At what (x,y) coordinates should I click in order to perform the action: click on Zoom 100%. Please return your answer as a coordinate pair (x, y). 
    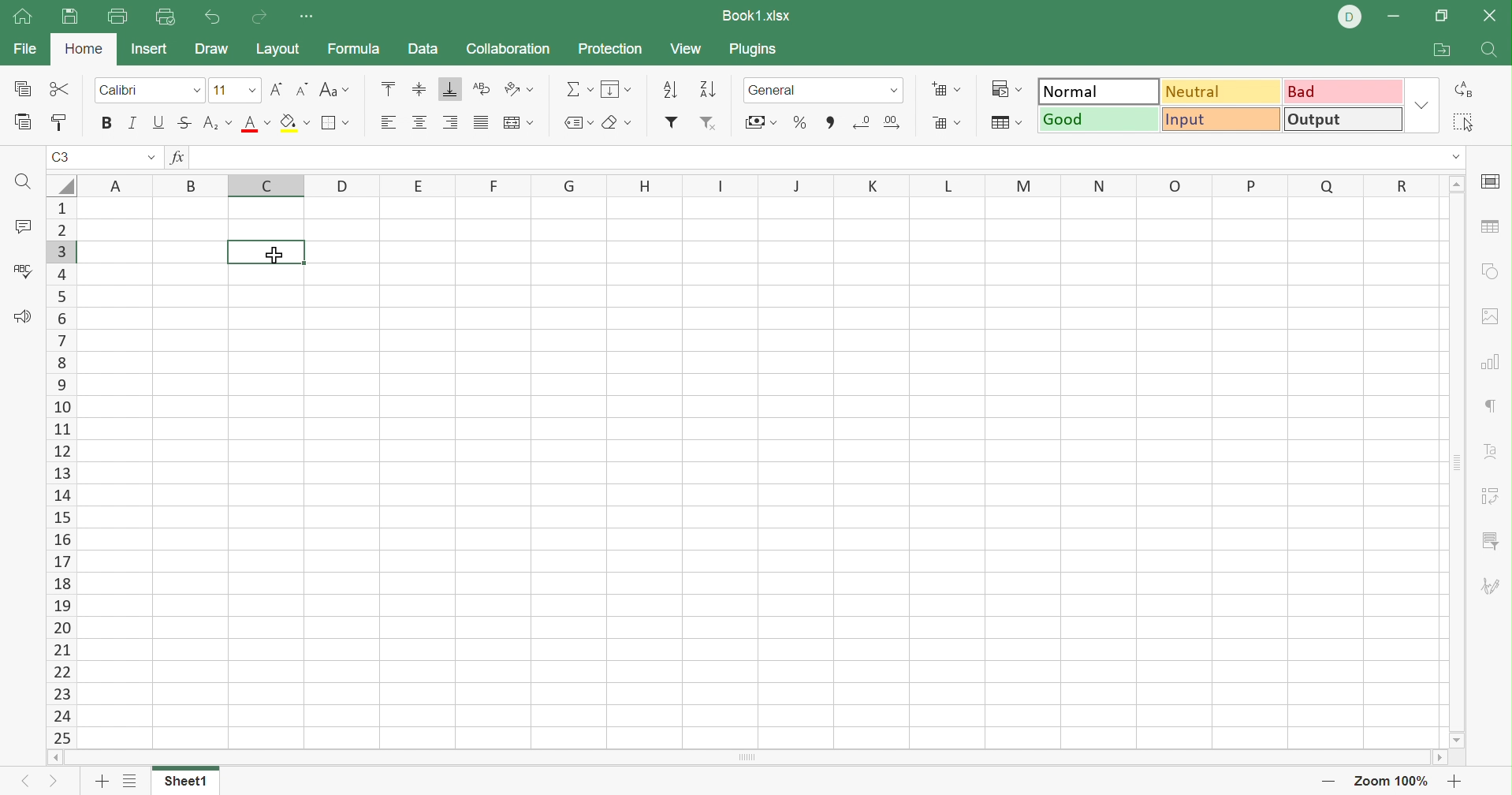
    Looking at the image, I should click on (1394, 780).